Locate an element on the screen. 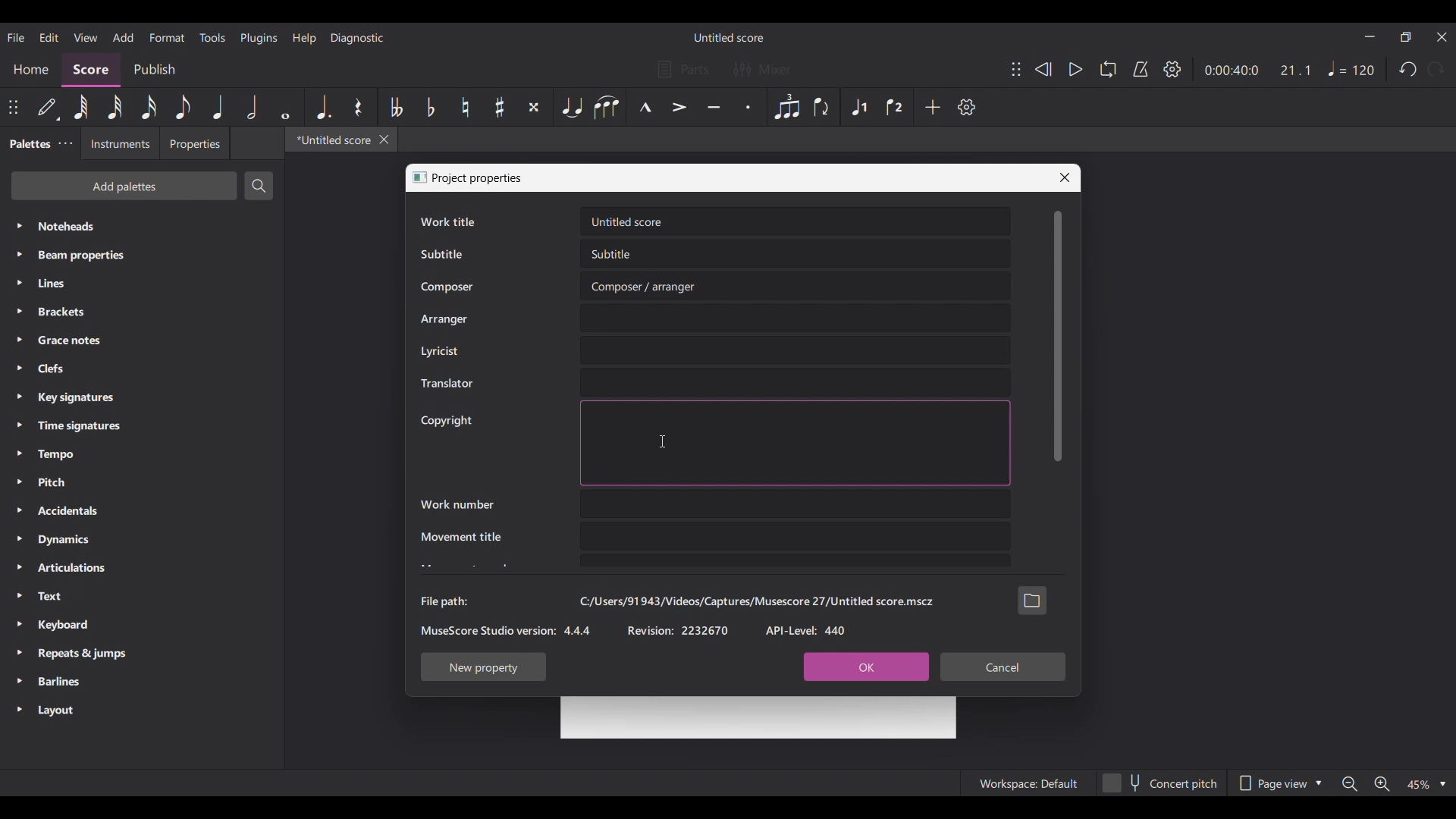 This screenshot has height=819, width=1456. Mixer settings is located at coordinates (762, 69).